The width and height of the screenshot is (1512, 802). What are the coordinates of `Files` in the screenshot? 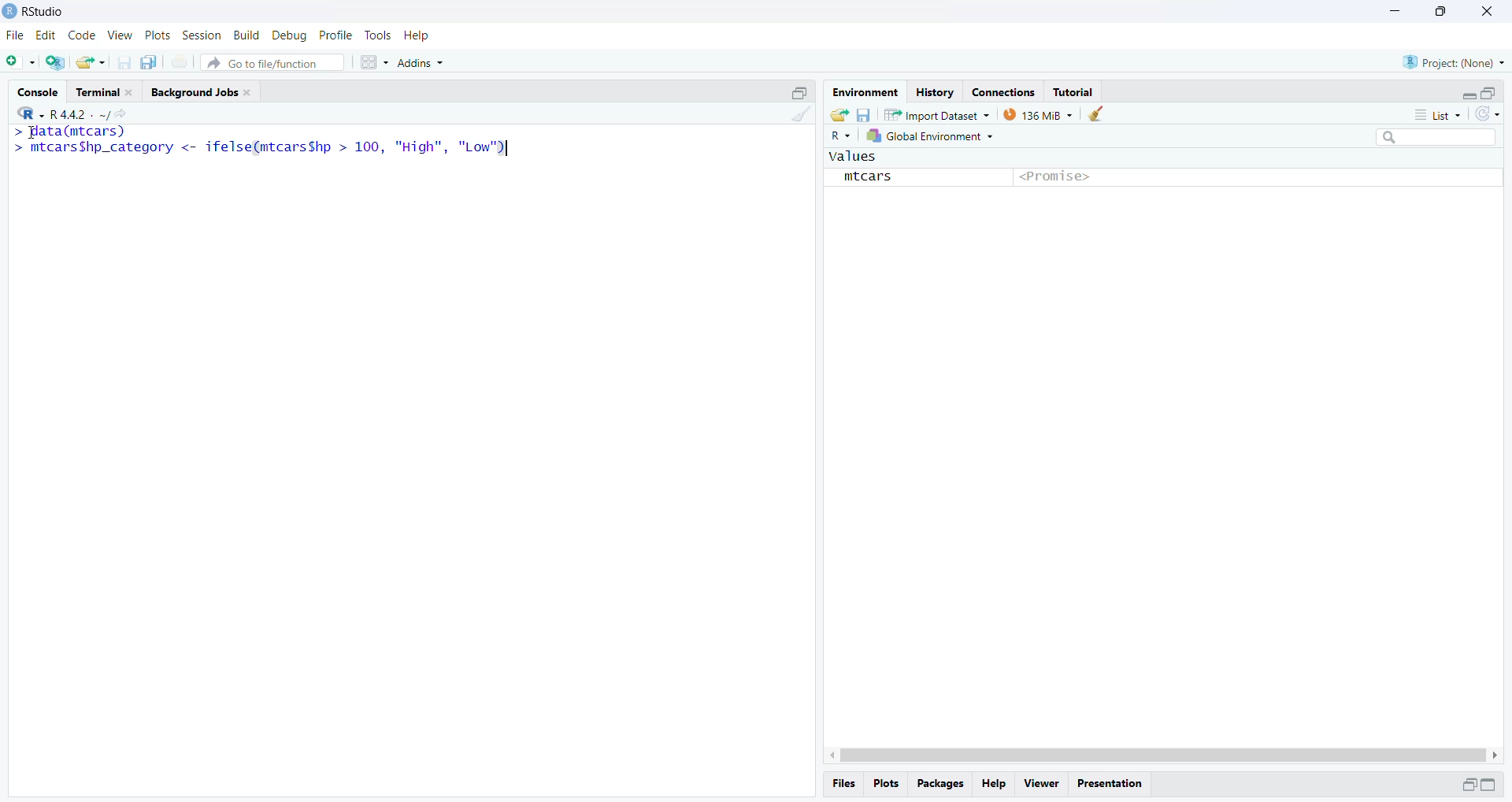 It's located at (847, 783).